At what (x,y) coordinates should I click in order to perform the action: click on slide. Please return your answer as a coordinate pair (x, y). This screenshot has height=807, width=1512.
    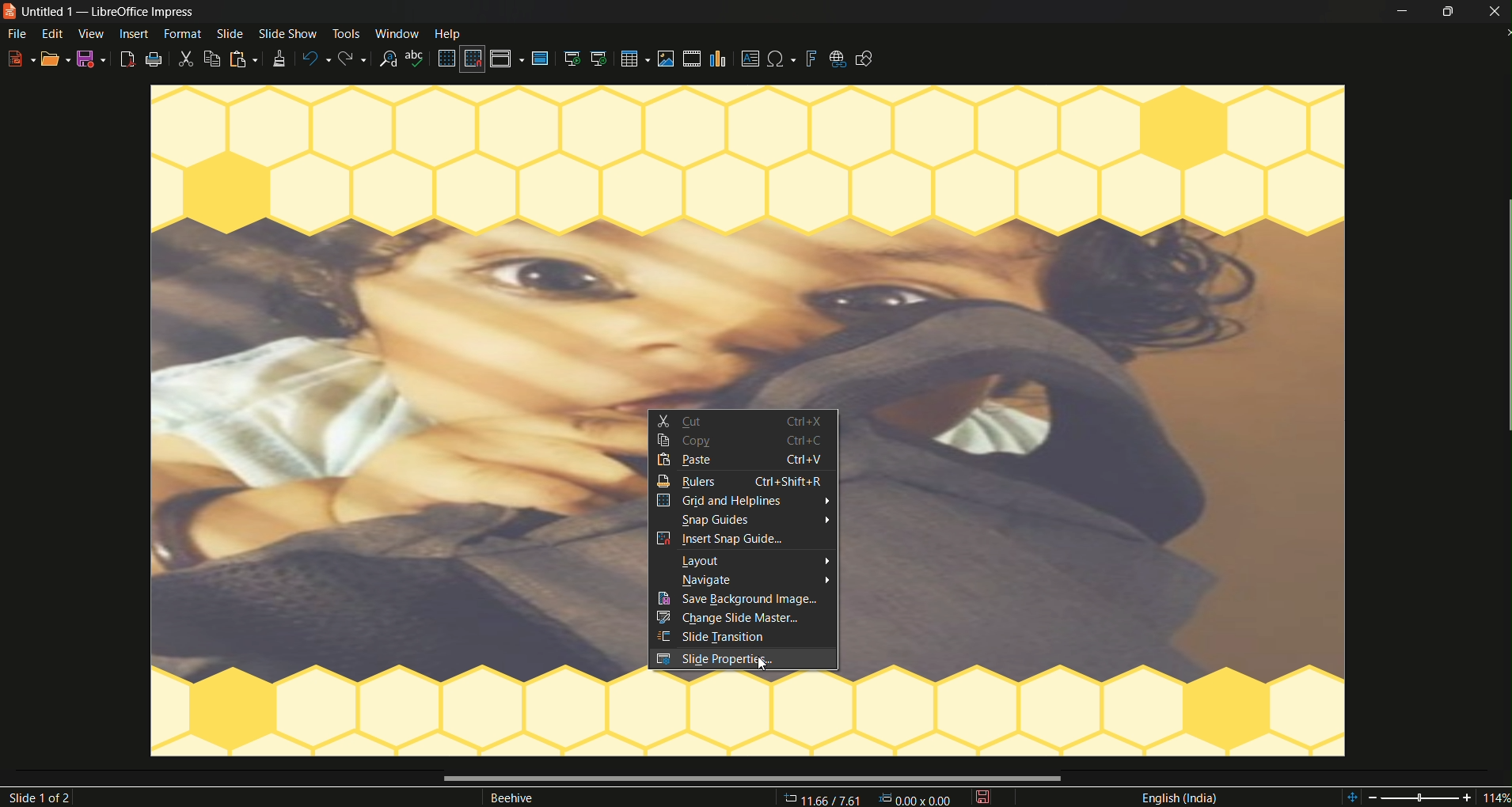
    Looking at the image, I should click on (230, 33).